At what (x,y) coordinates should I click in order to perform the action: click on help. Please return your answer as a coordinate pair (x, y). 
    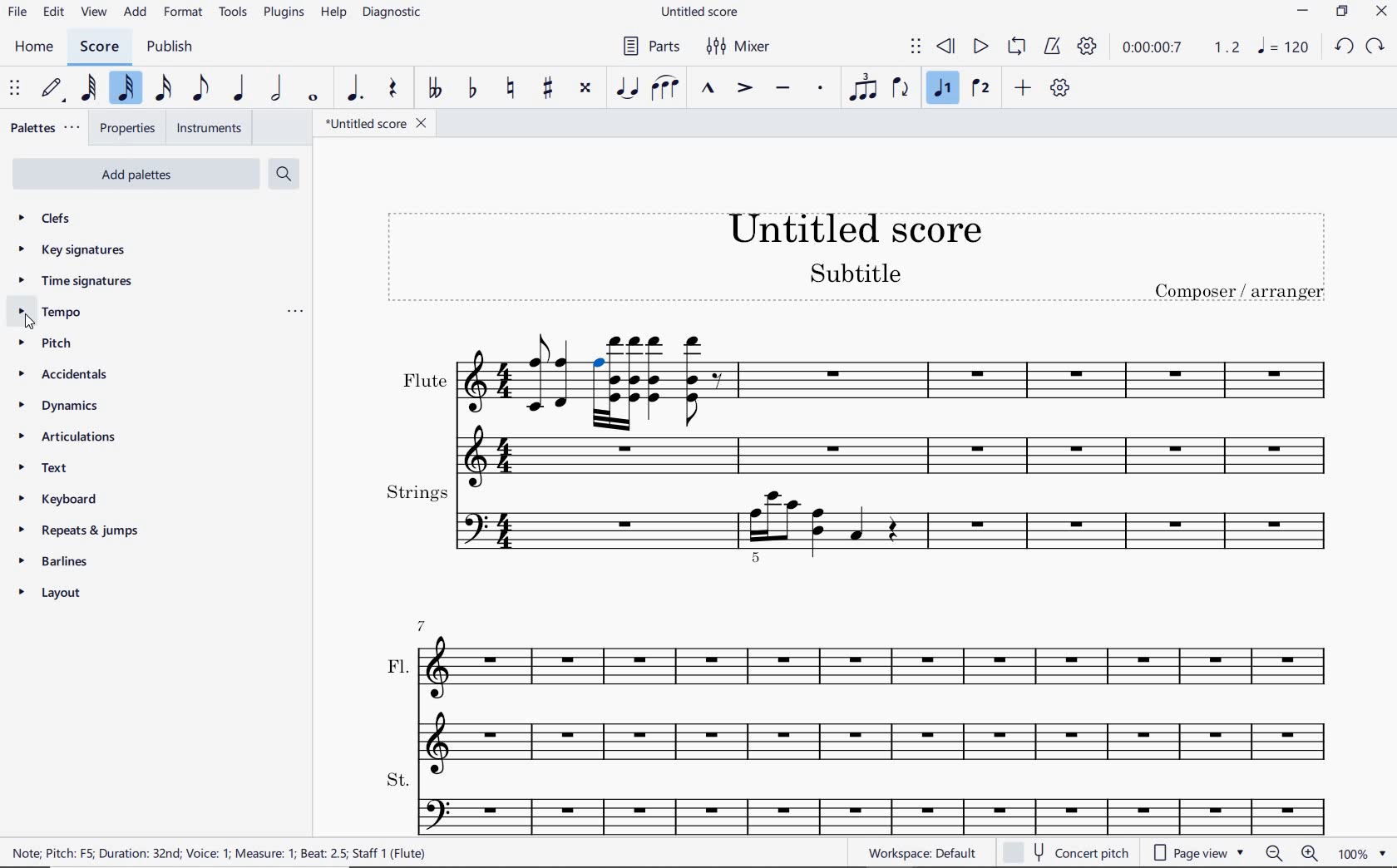
    Looking at the image, I should click on (333, 14).